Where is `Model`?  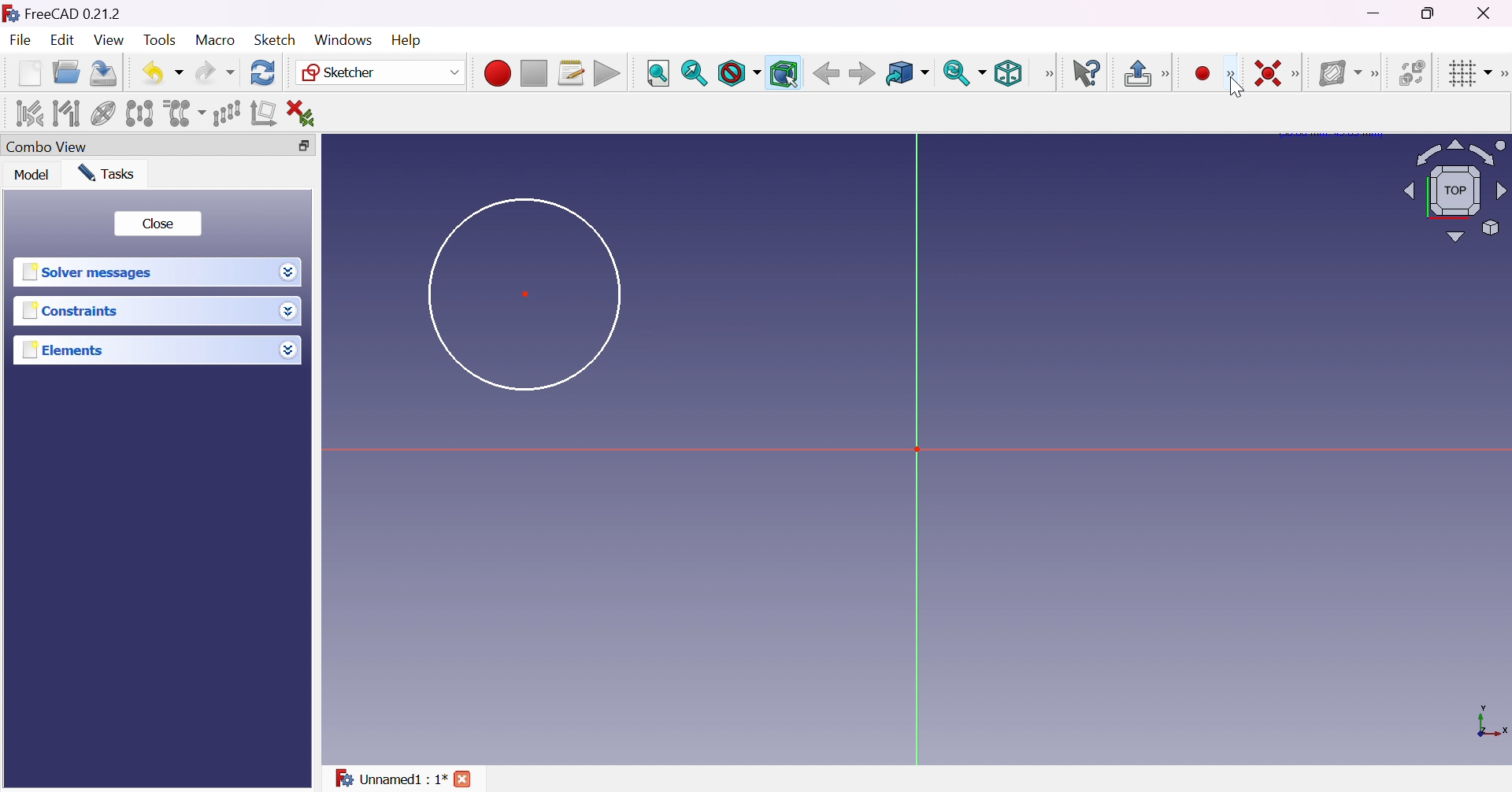 Model is located at coordinates (31, 175).